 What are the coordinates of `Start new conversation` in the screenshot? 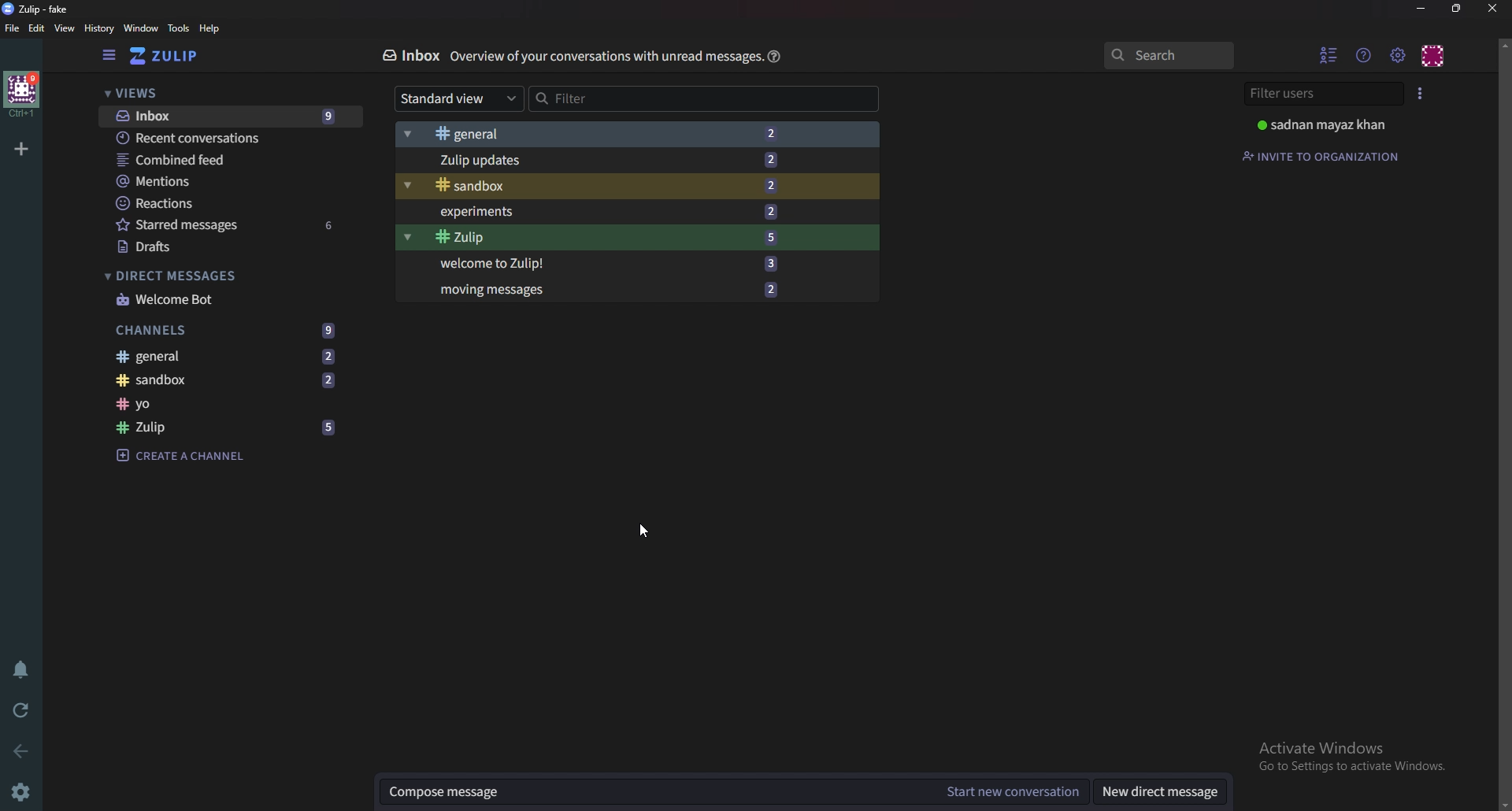 It's located at (1010, 791).